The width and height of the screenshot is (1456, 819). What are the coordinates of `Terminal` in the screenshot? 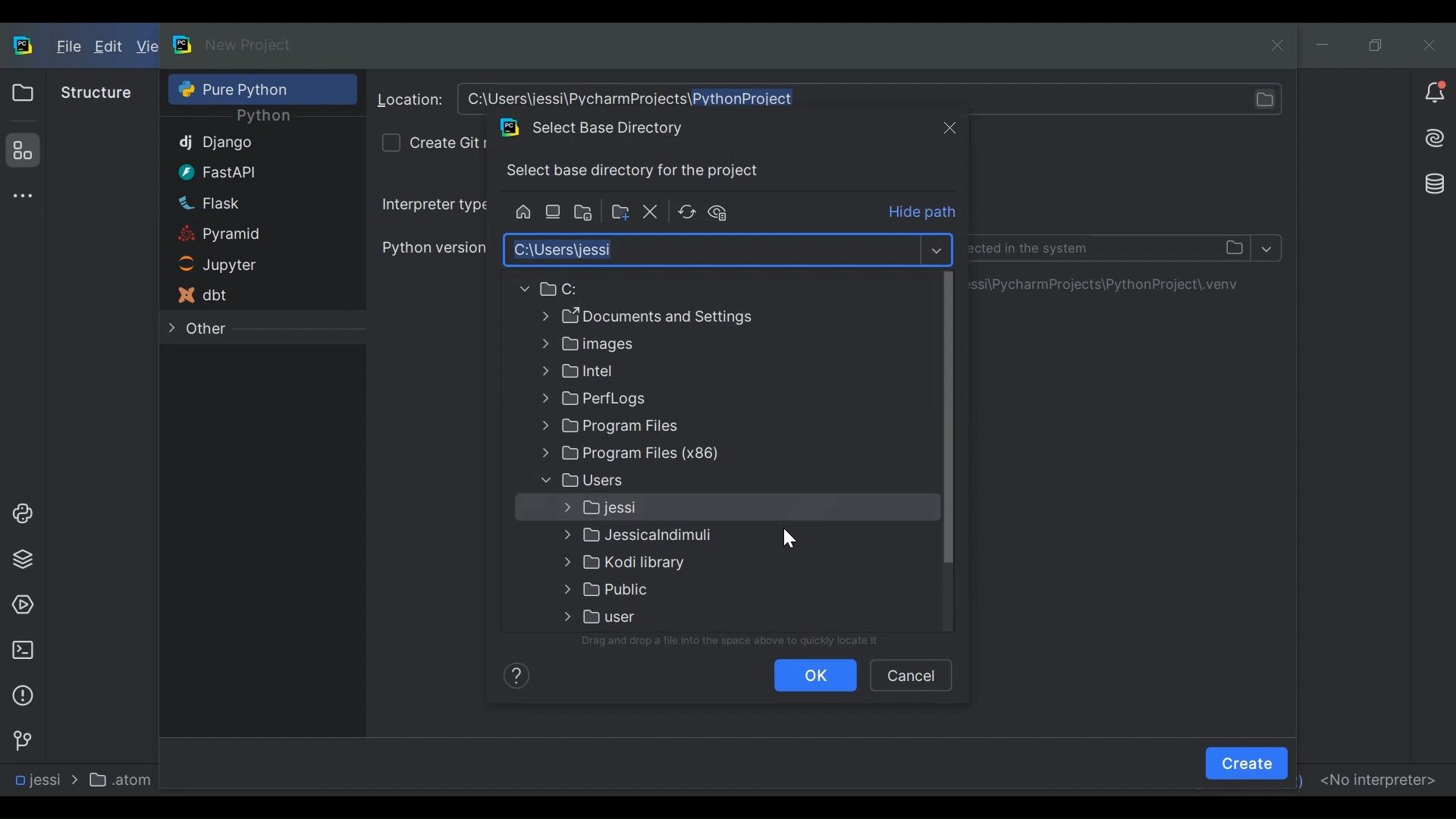 It's located at (22, 650).